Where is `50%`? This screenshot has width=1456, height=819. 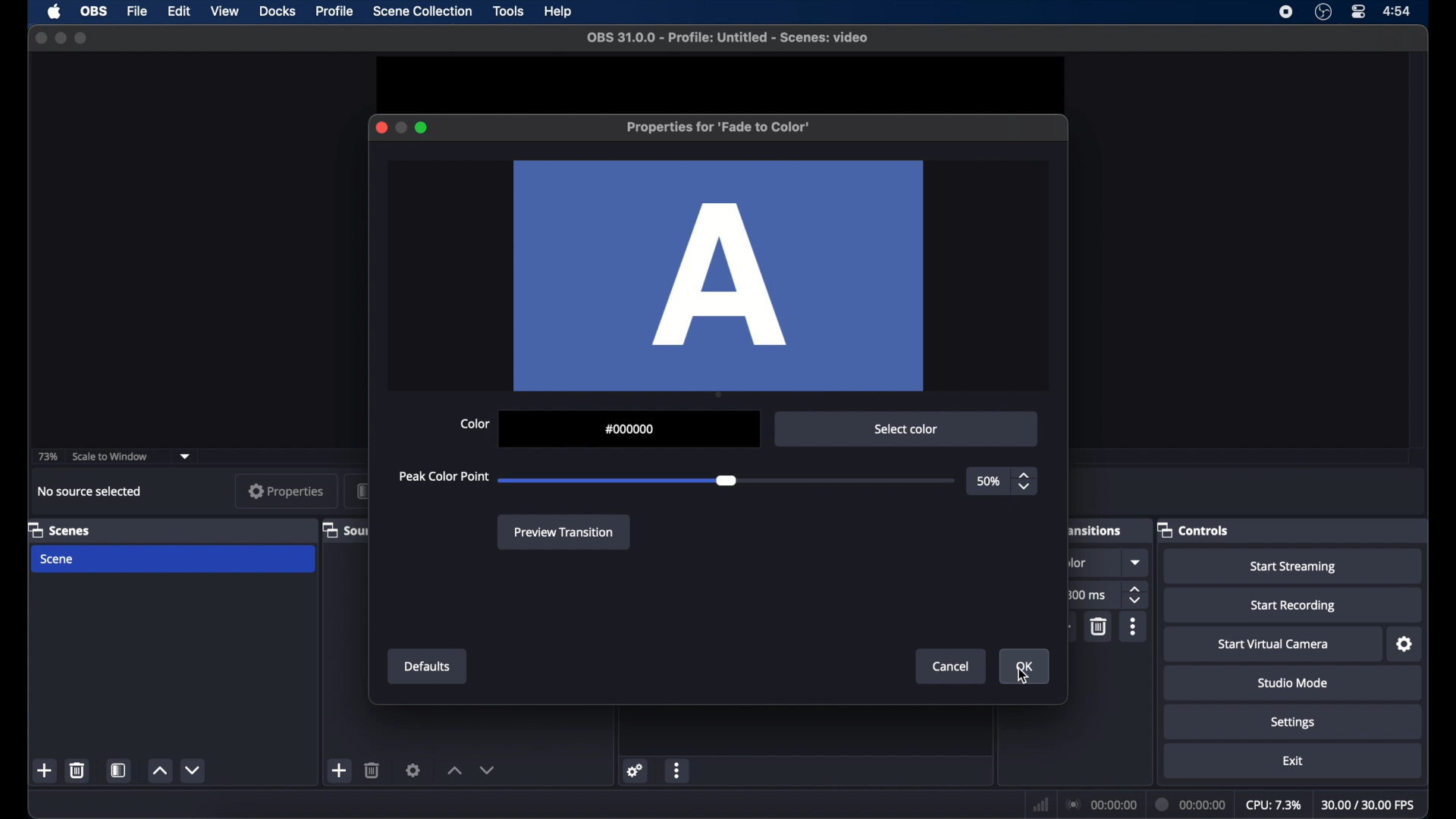 50% is located at coordinates (988, 482).